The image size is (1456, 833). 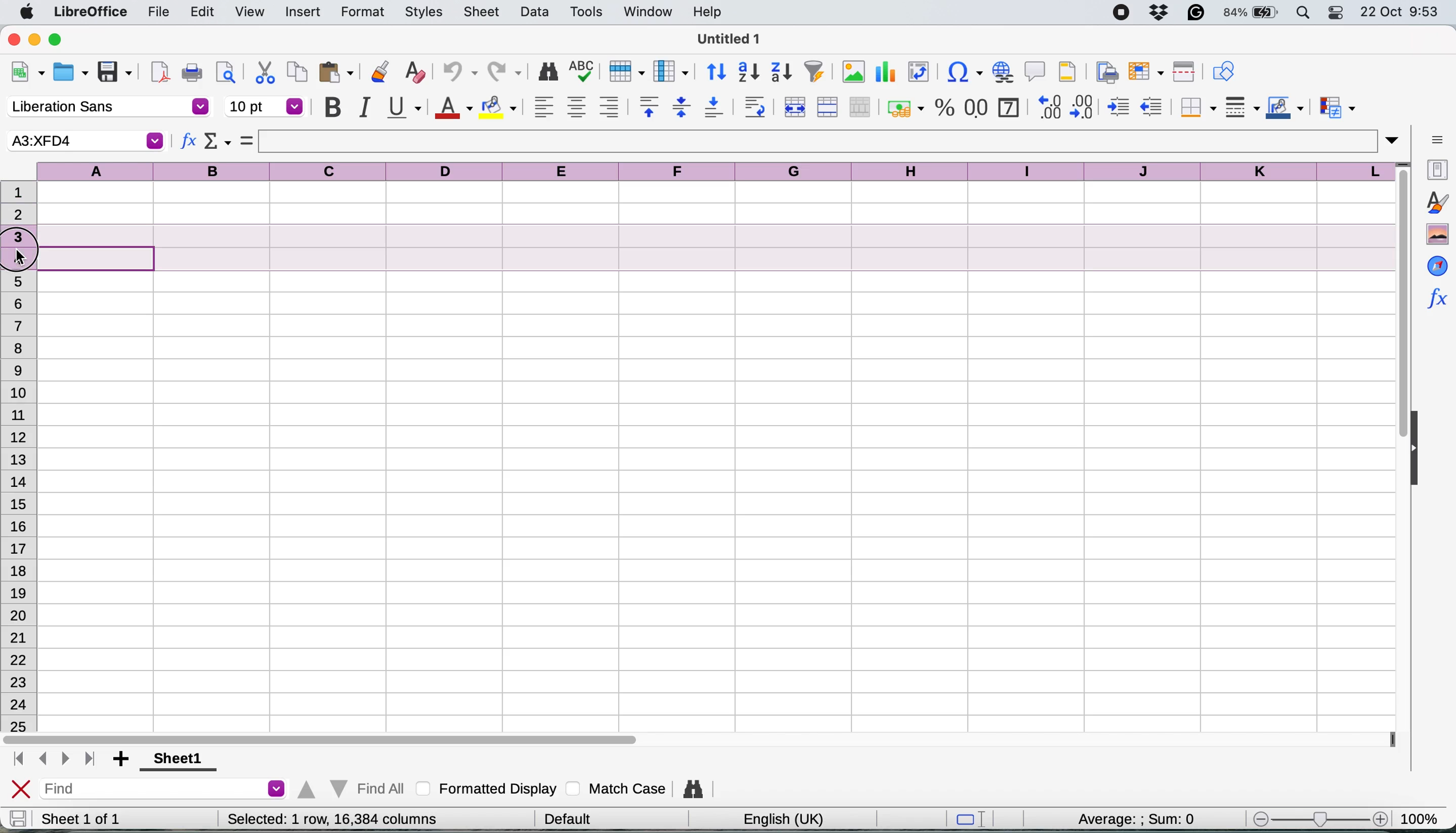 I want to click on border color, so click(x=1285, y=109).